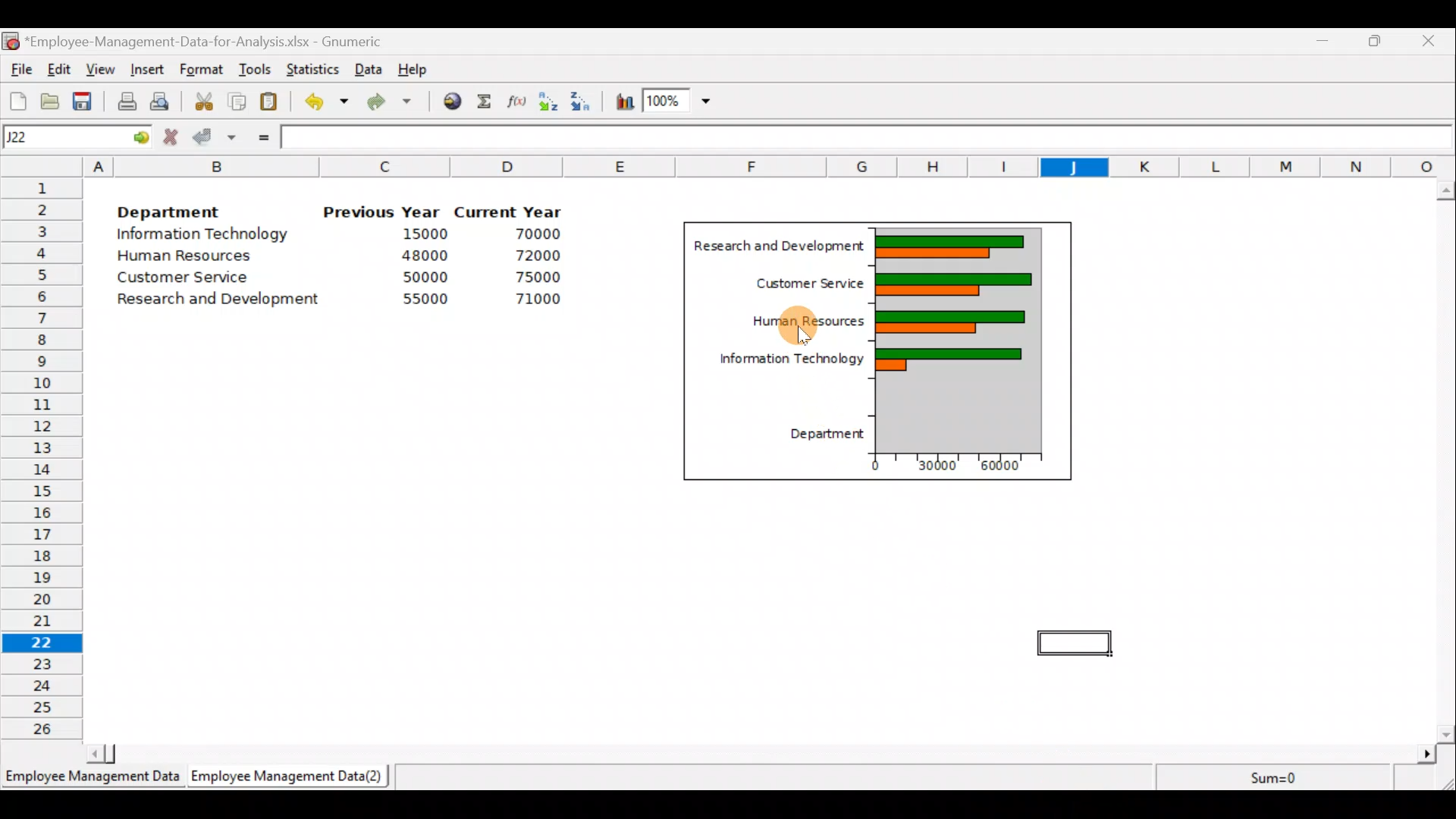 This screenshot has height=819, width=1456. Describe the element at coordinates (413, 66) in the screenshot. I see `Help` at that location.